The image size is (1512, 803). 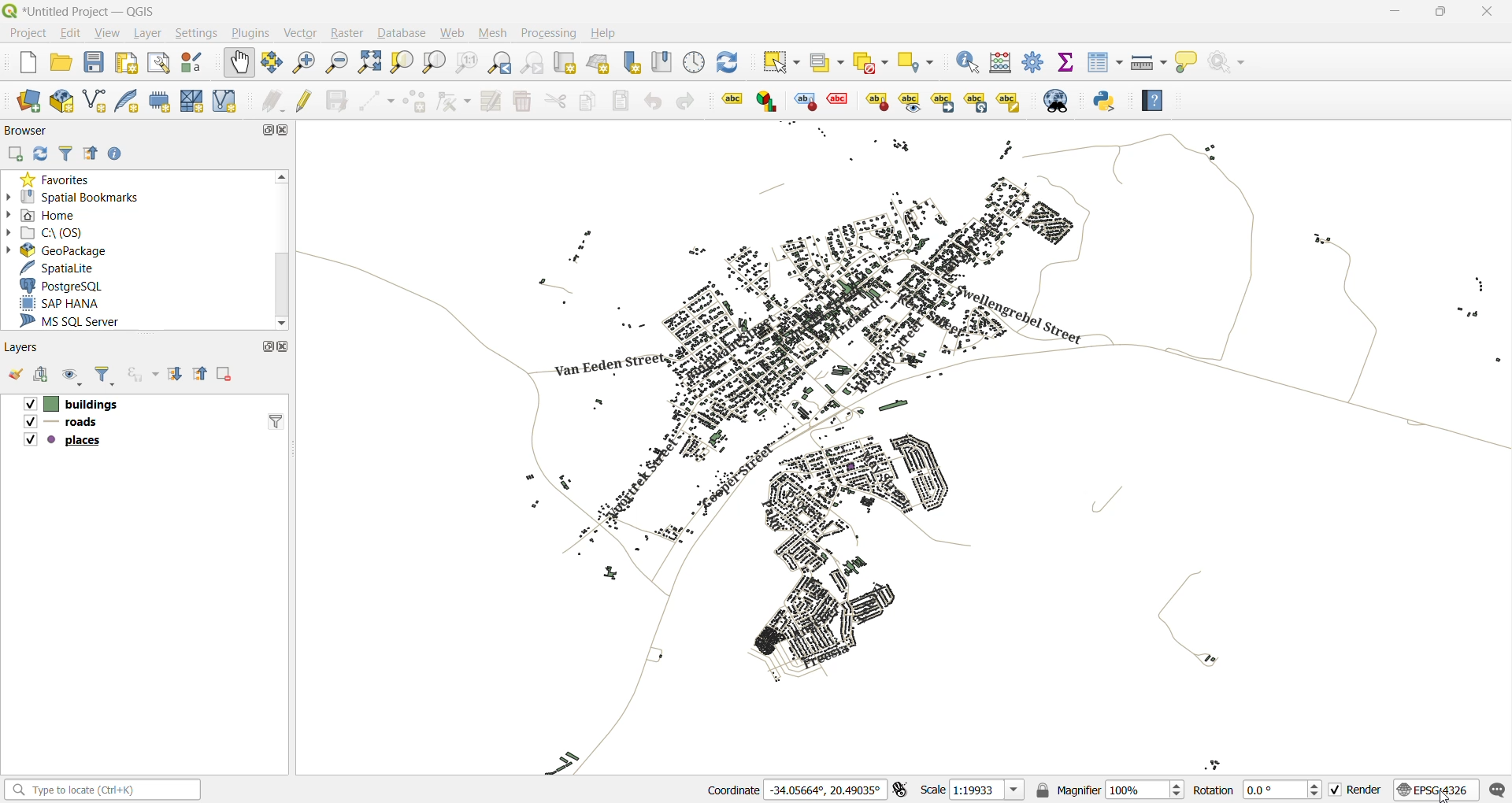 I want to click on ms sql server, so click(x=79, y=320).